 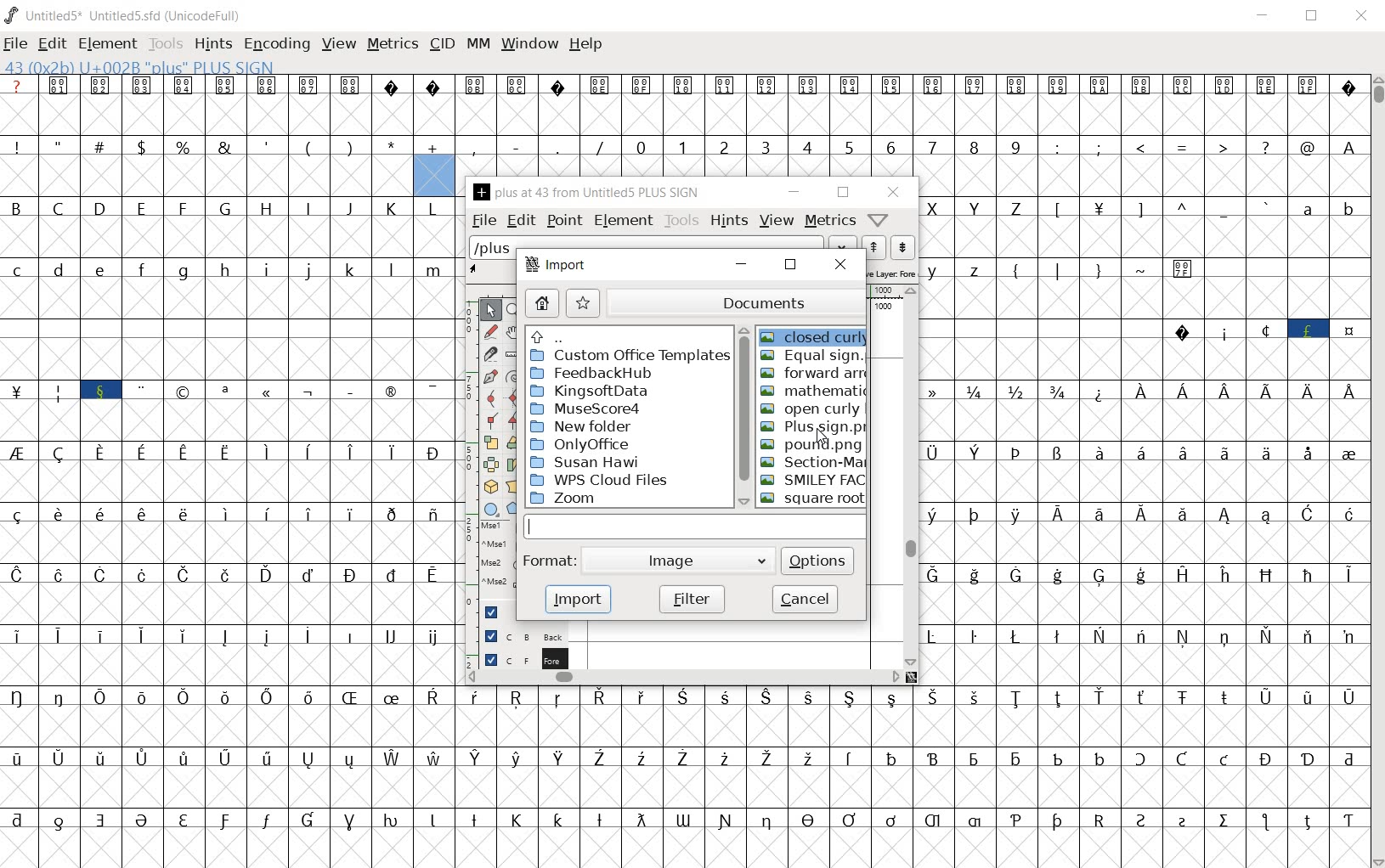 What do you see at coordinates (212, 45) in the screenshot?
I see `hints` at bounding box center [212, 45].